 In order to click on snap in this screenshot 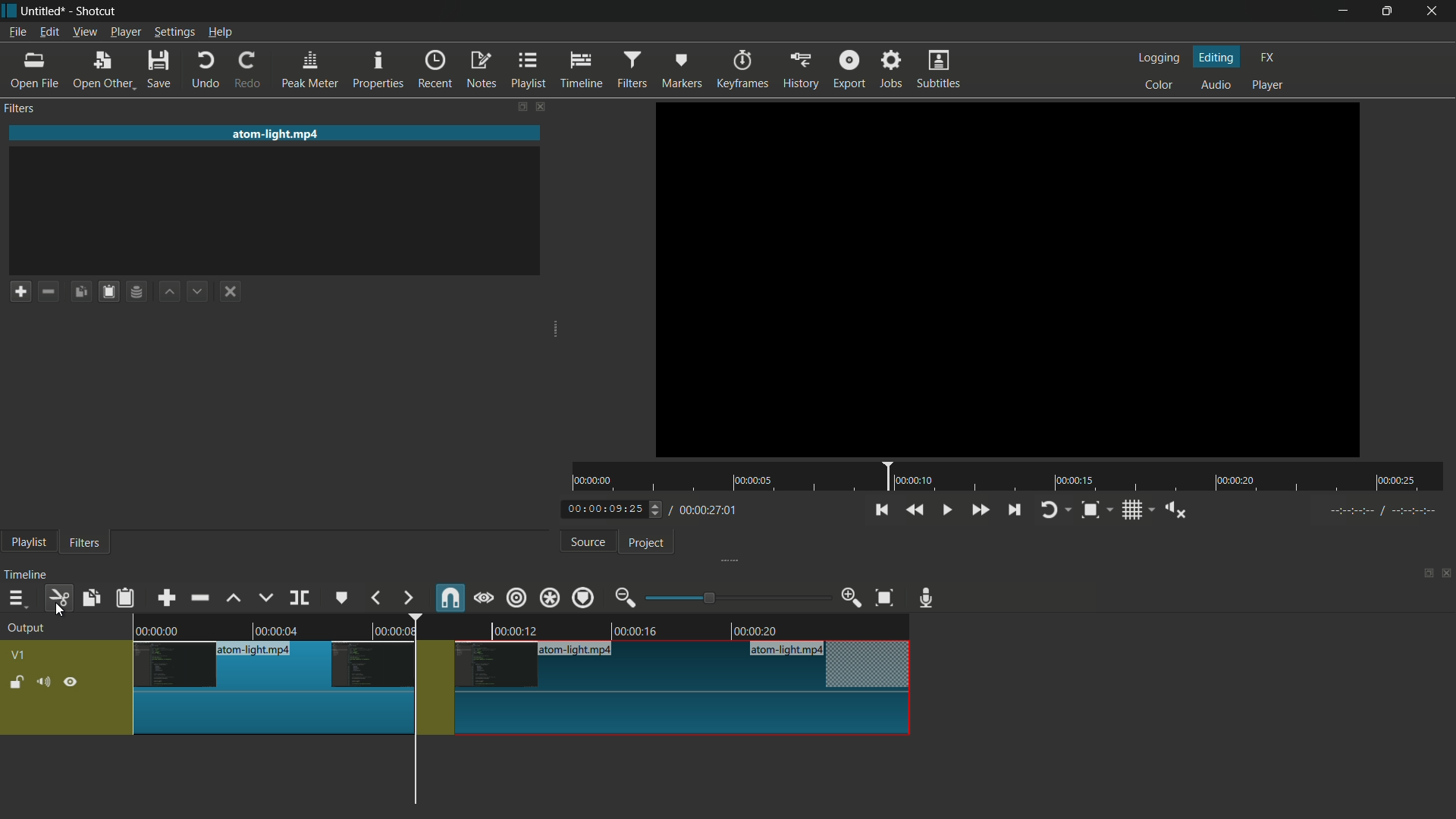, I will do `click(448, 597)`.